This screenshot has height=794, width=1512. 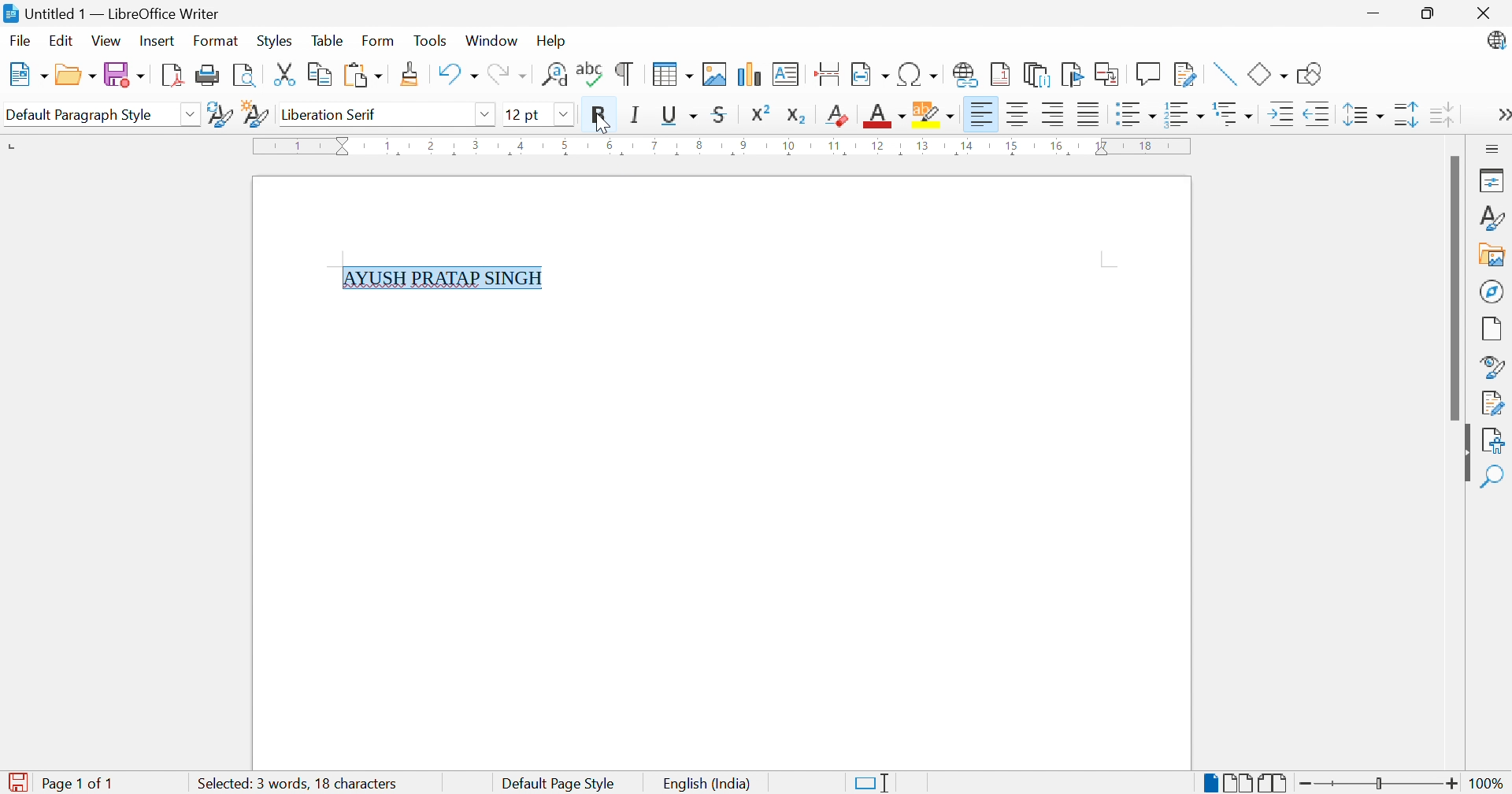 What do you see at coordinates (563, 114) in the screenshot?
I see `Drop Down` at bounding box center [563, 114].